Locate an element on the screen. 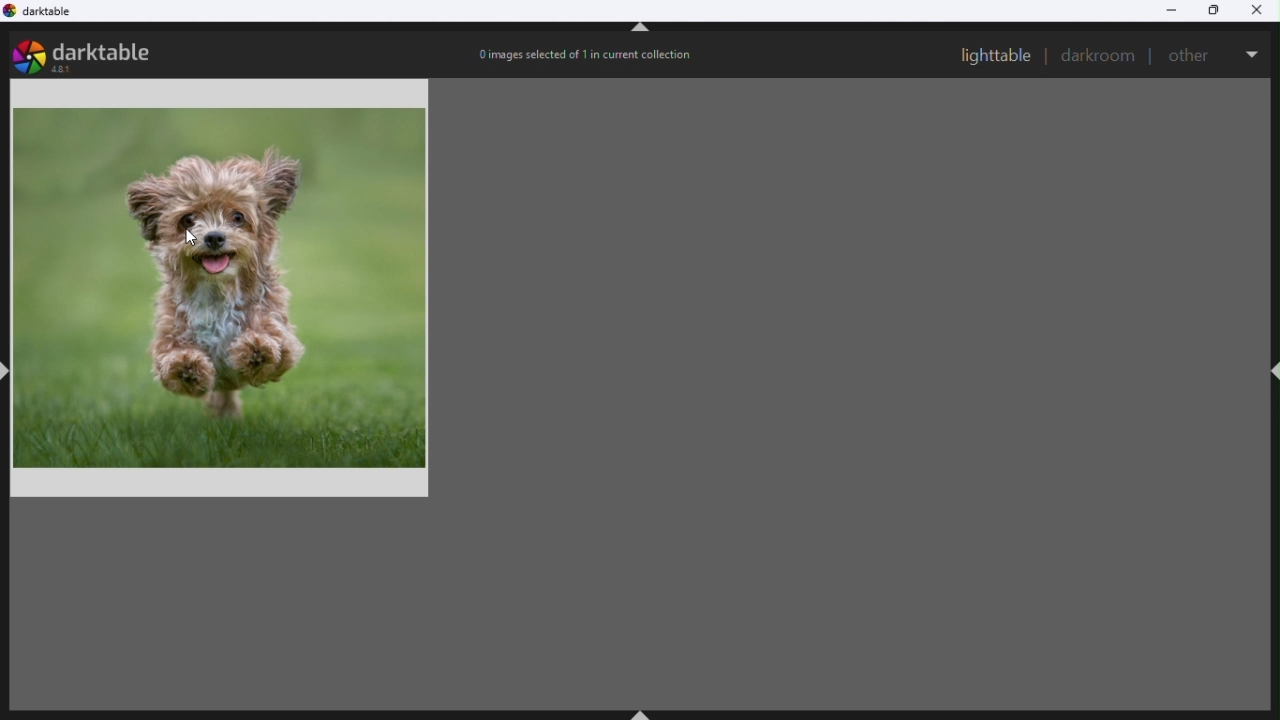 This screenshot has height=720, width=1280. ctrl+shift+t is located at coordinates (646, 30).